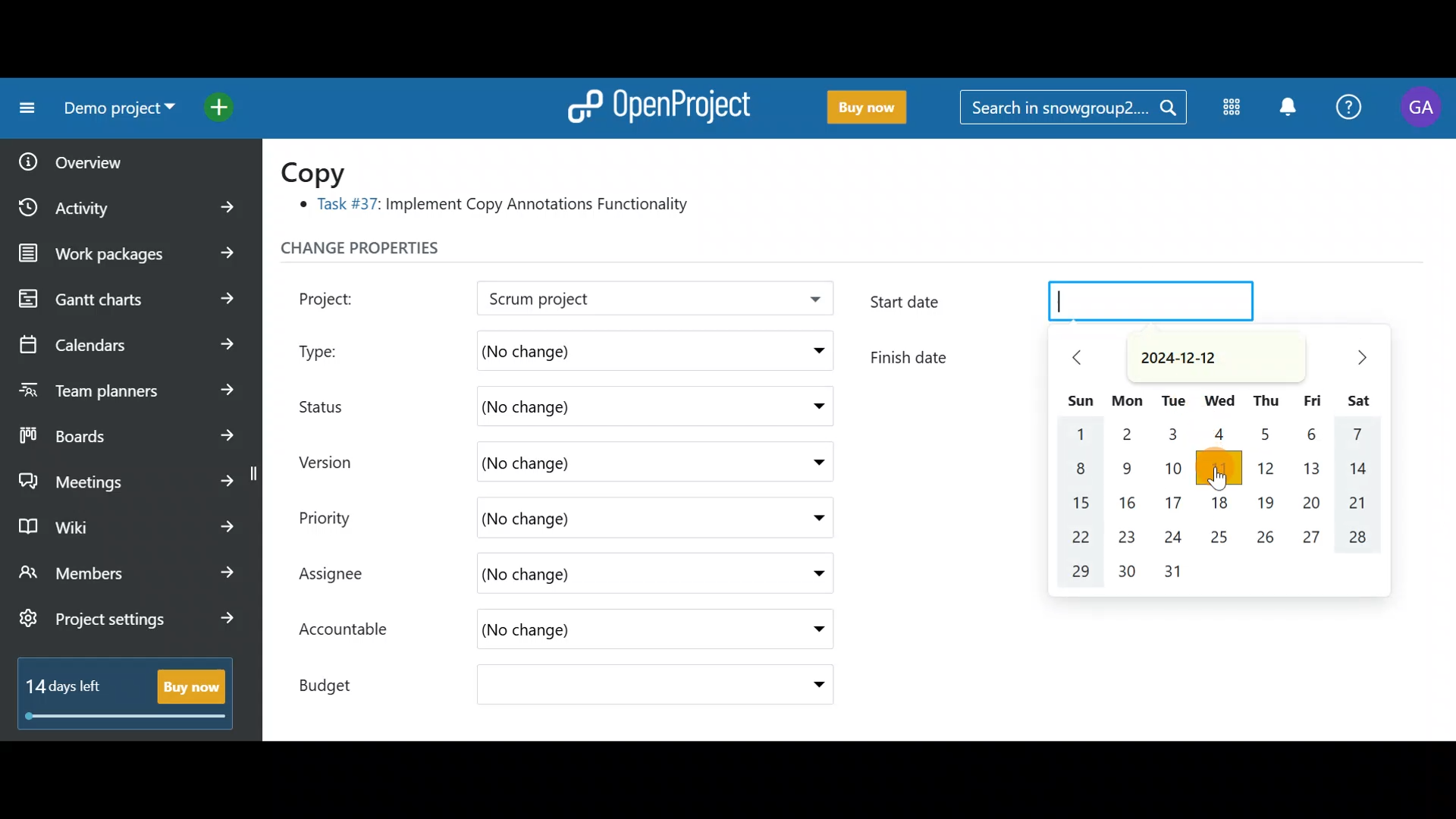  What do you see at coordinates (1077, 108) in the screenshot?
I see `Search in snowgroup?.... ` at bounding box center [1077, 108].